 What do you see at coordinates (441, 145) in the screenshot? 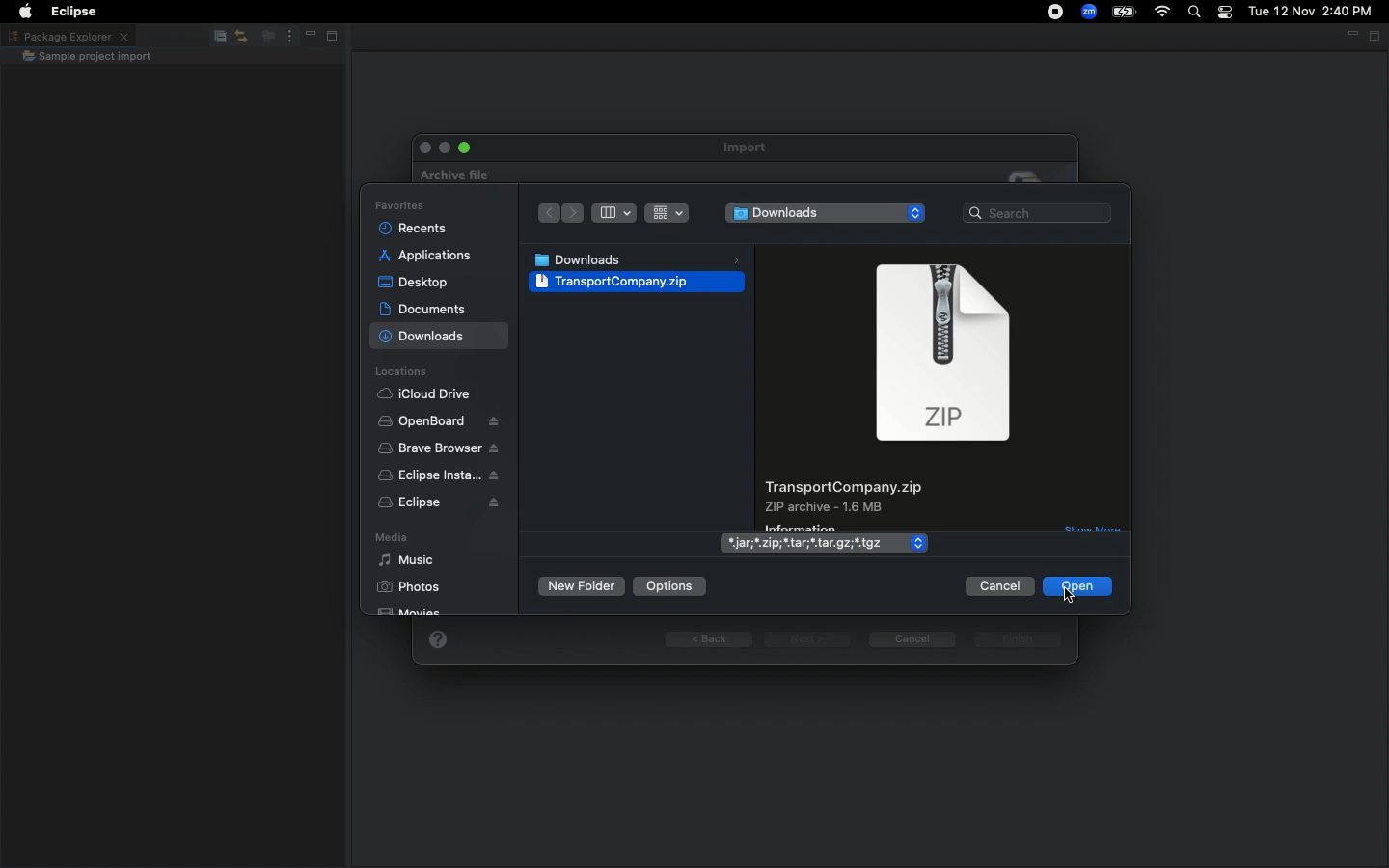
I see `minimize` at bounding box center [441, 145].